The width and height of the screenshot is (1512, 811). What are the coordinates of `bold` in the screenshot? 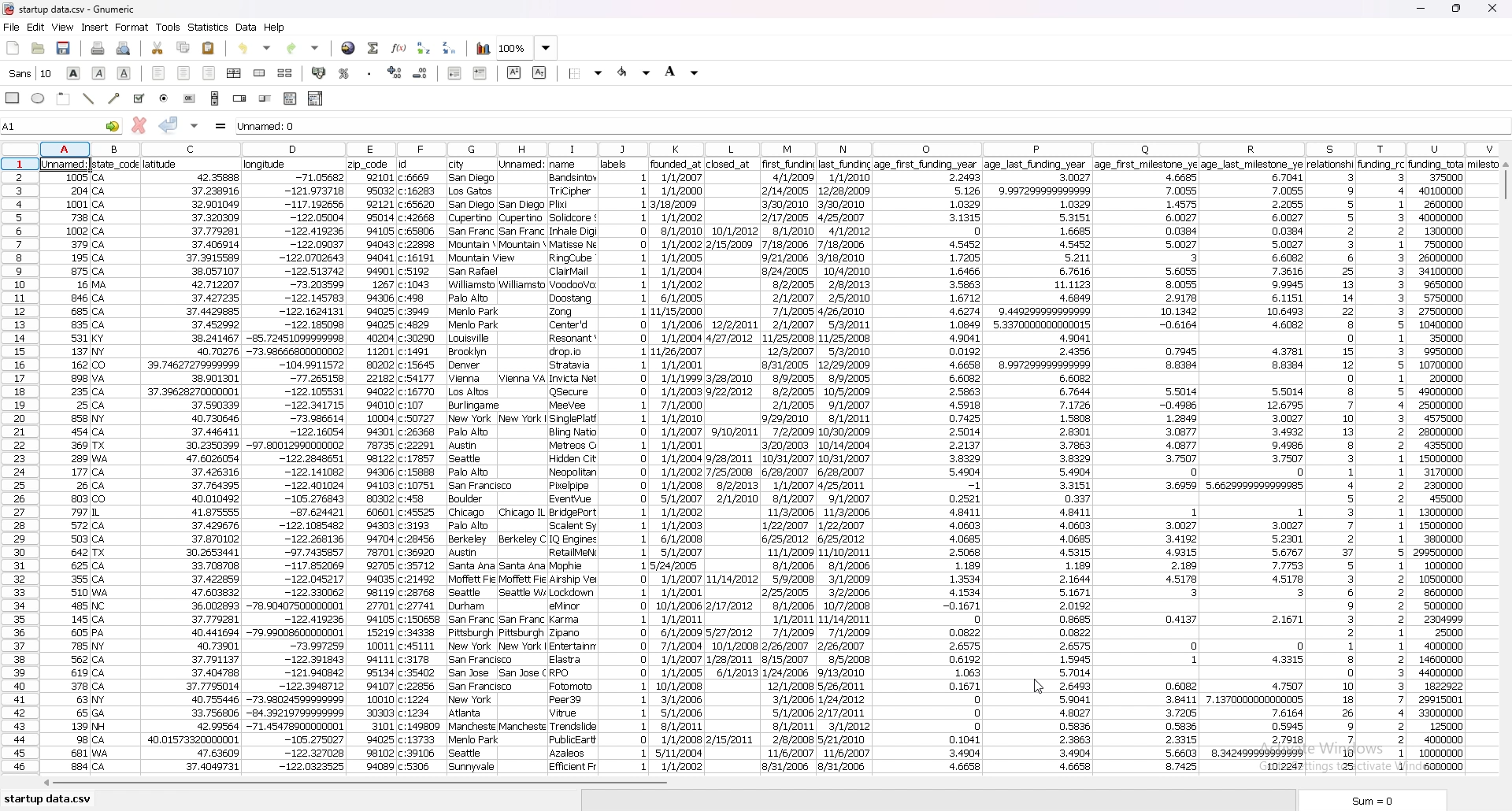 It's located at (74, 73).